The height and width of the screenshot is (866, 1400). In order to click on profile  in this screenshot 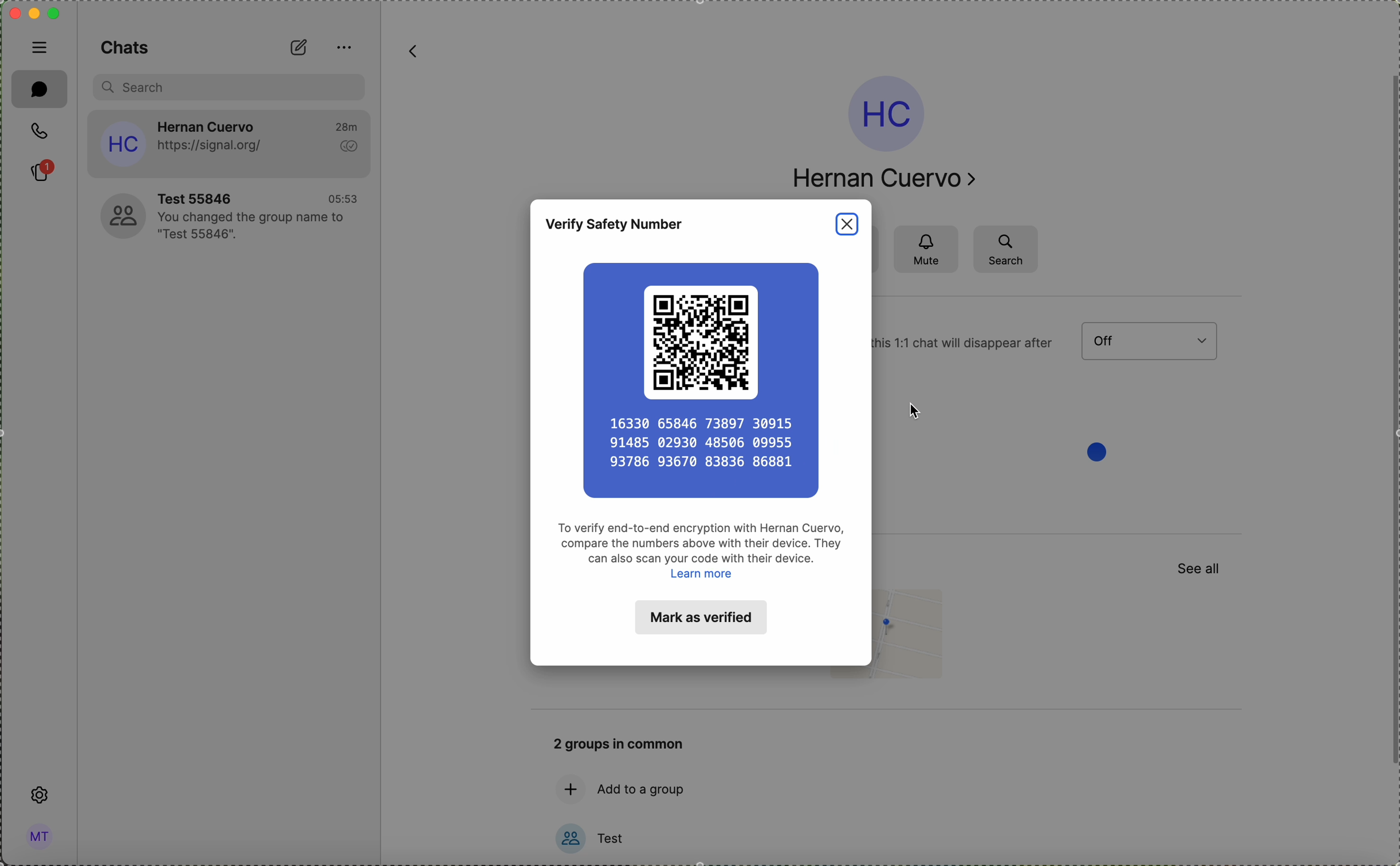, I will do `click(883, 114)`.